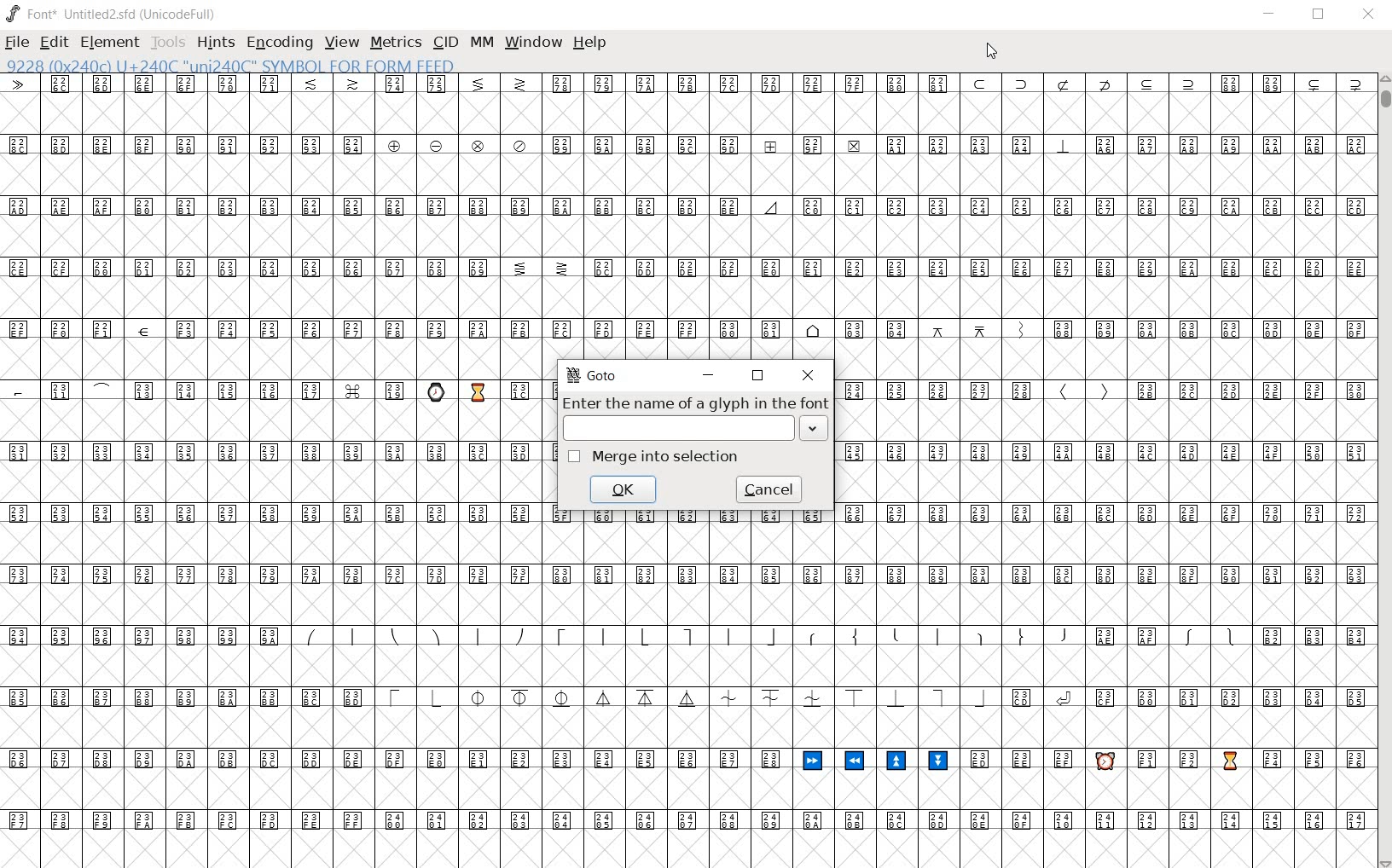  Describe the element at coordinates (1383, 471) in the screenshot. I see `scrollbar` at that location.